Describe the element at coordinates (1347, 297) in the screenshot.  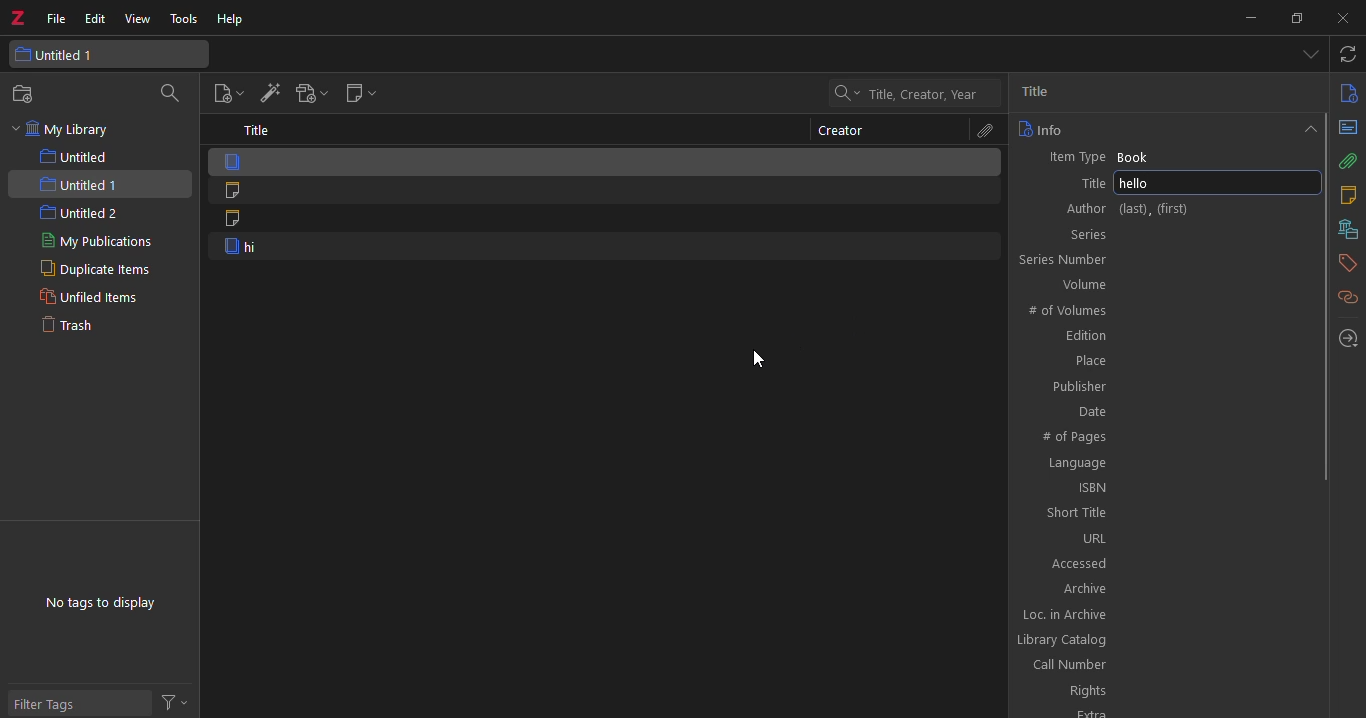
I see `related` at that location.